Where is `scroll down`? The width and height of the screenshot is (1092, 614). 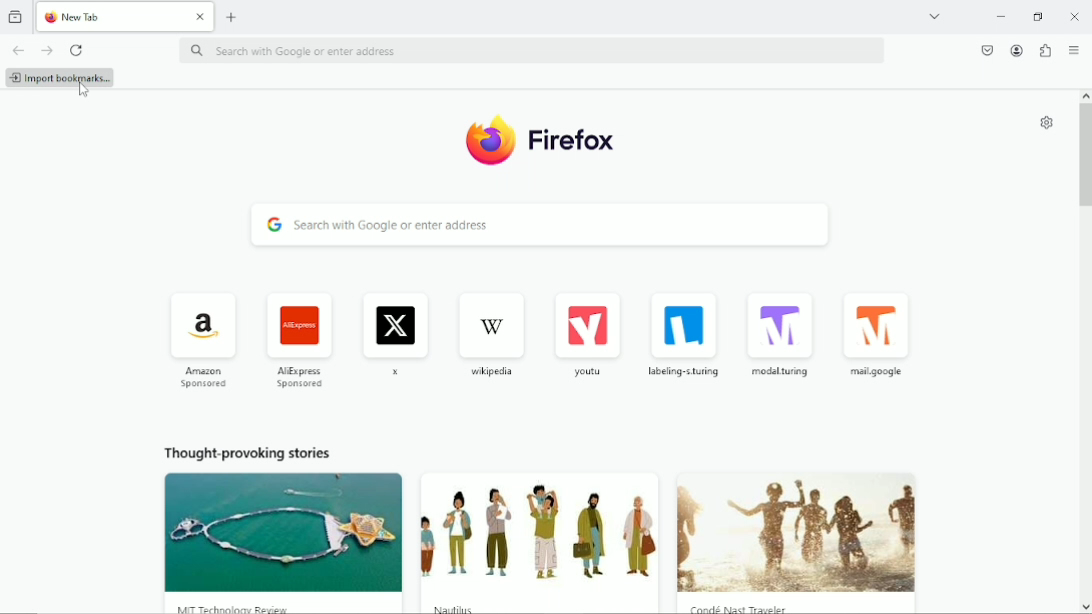 scroll down is located at coordinates (1085, 607).